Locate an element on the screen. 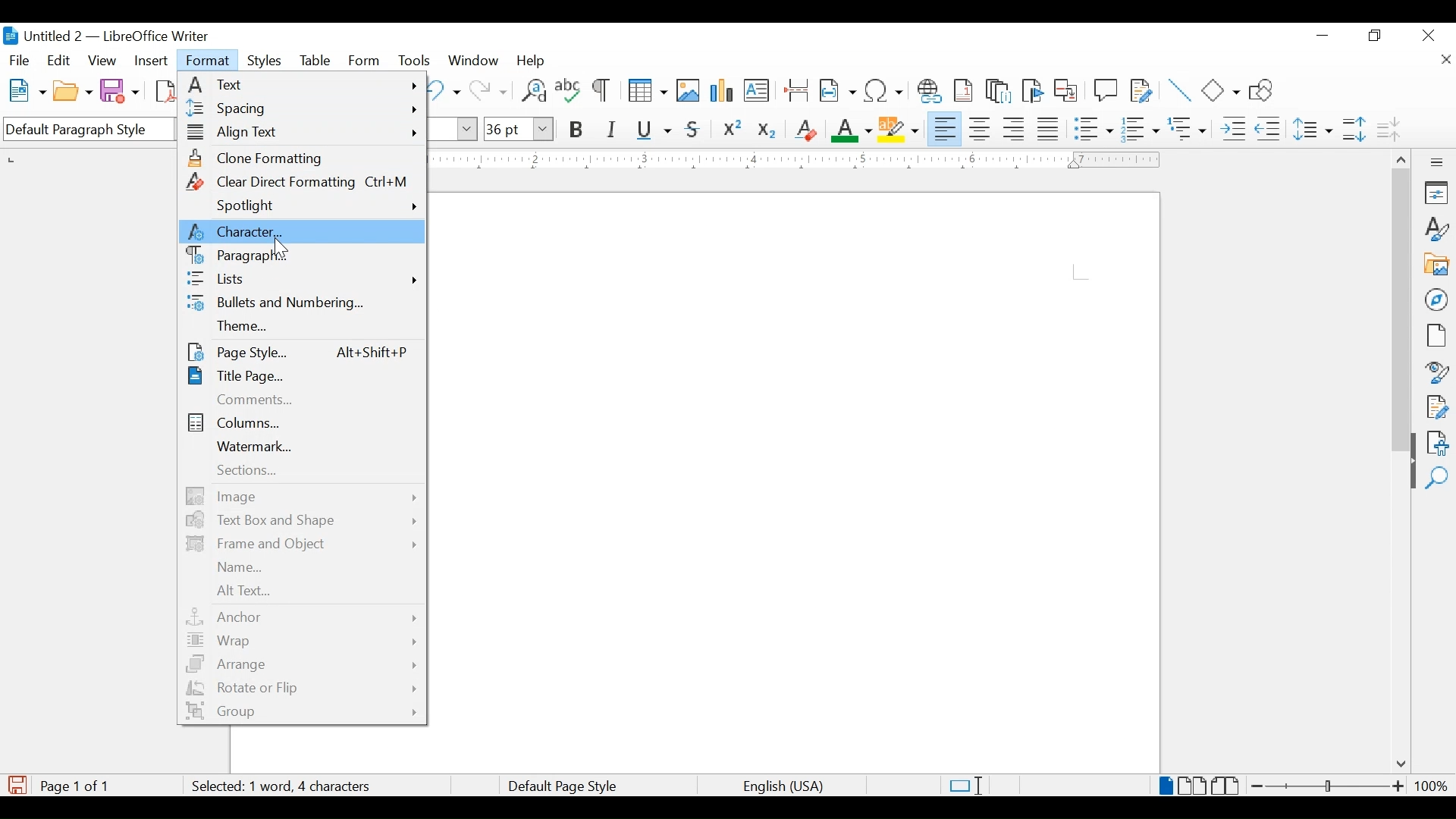  restore down is located at coordinates (1376, 36).